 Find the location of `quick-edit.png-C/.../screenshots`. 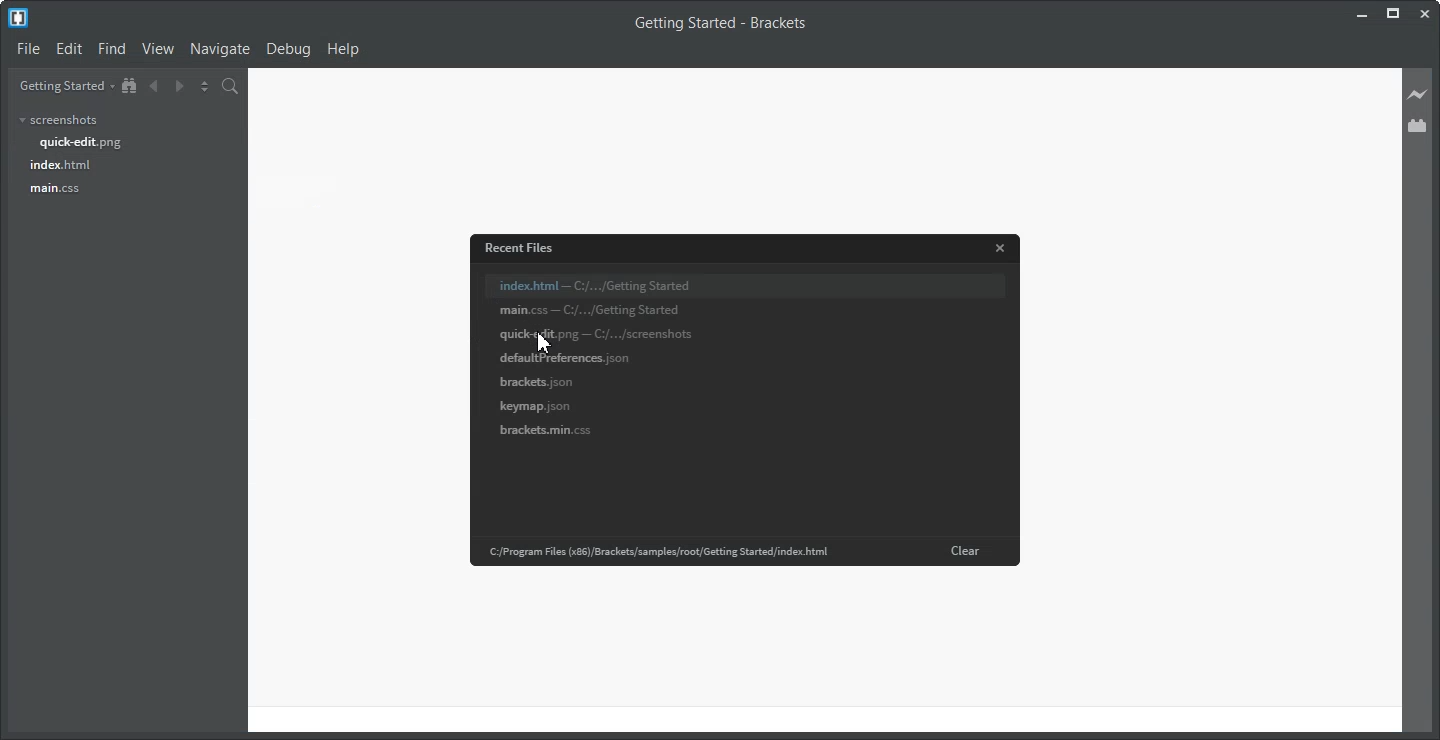

quick-edit.png-C/.../screenshots is located at coordinates (599, 335).